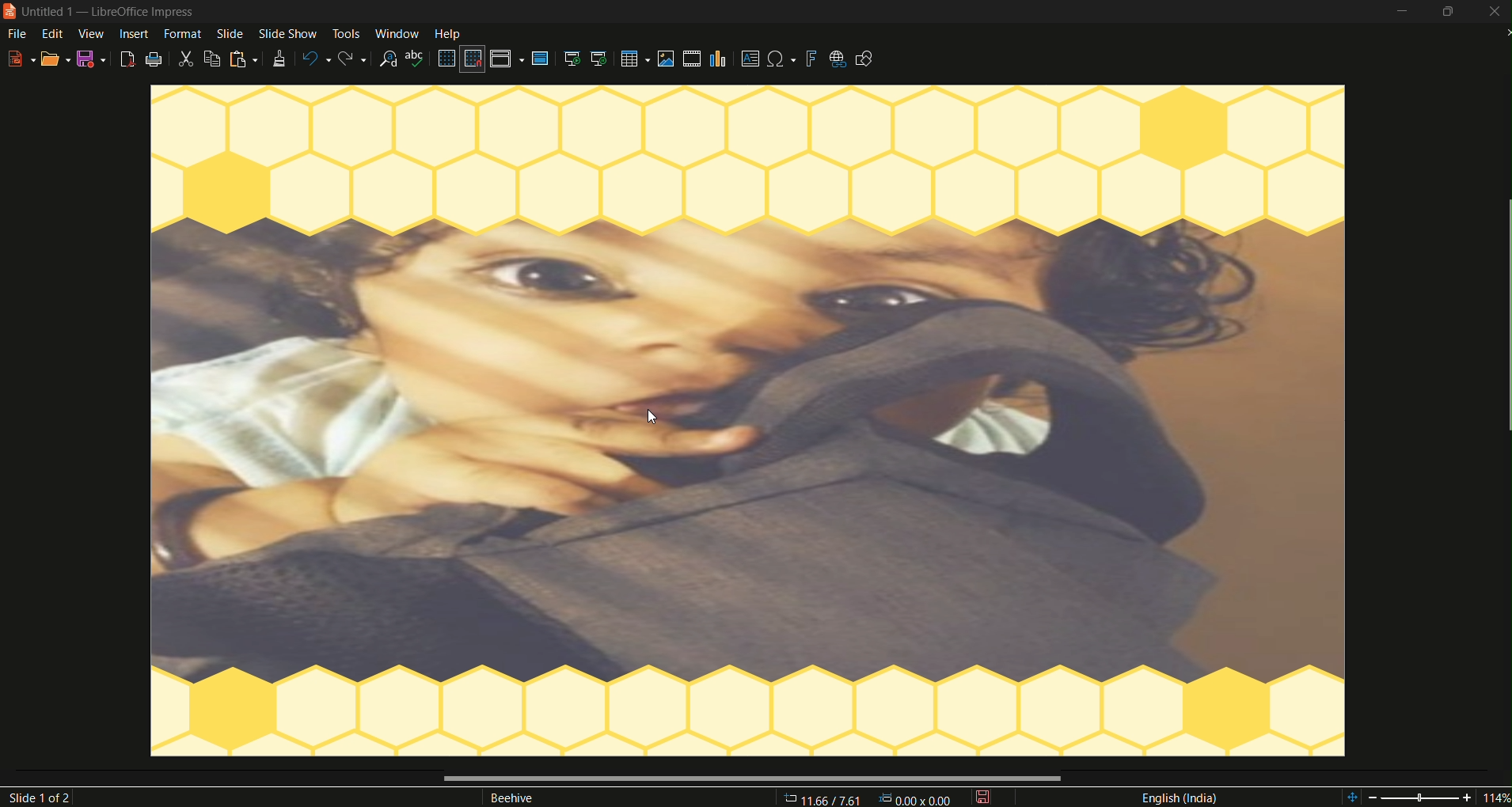  Describe the element at coordinates (1449, 12) in the screenshot. I see `minimize/maximize` at that location.